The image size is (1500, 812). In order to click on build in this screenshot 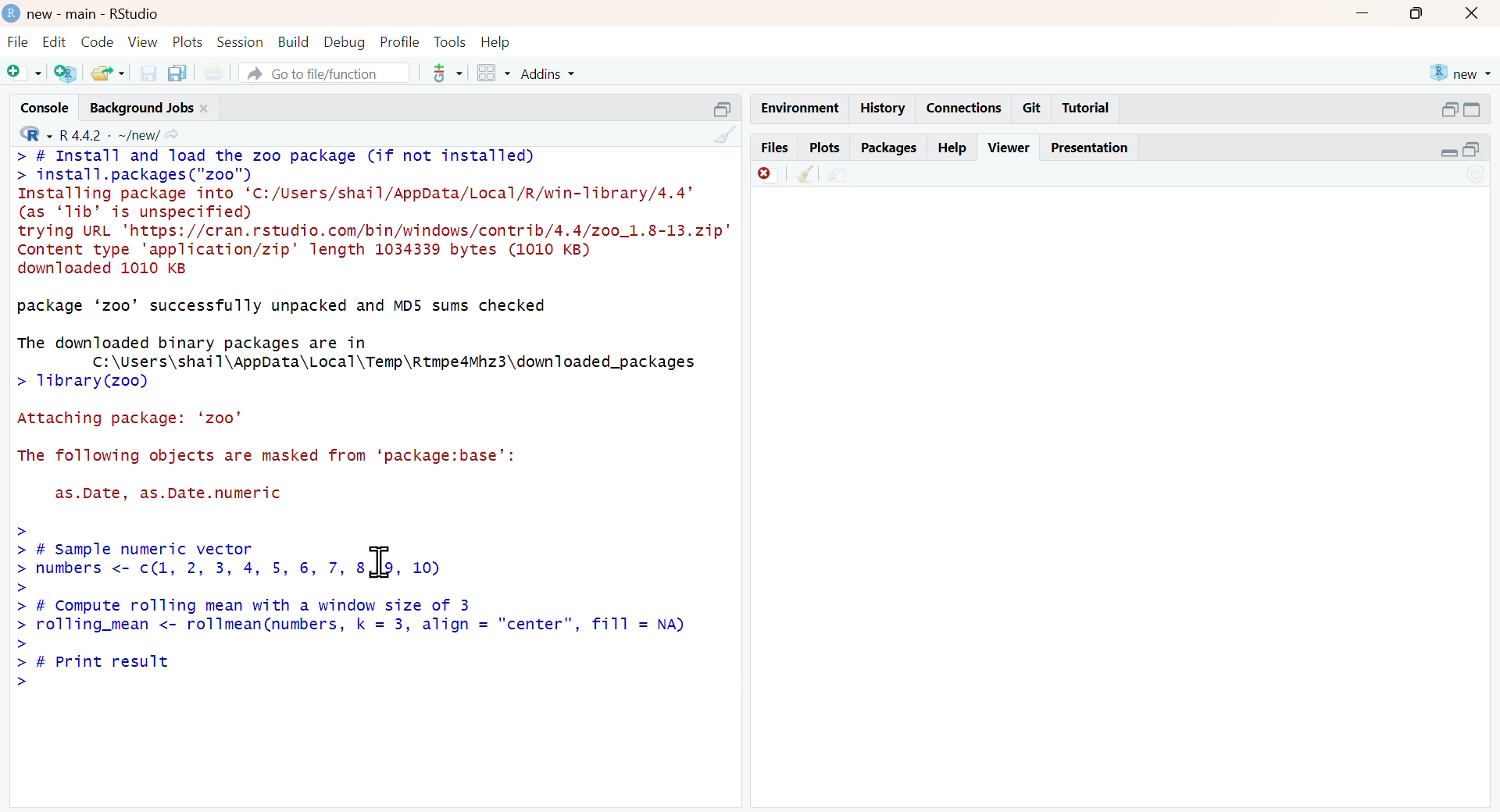, I will do `click(295, 42)`.